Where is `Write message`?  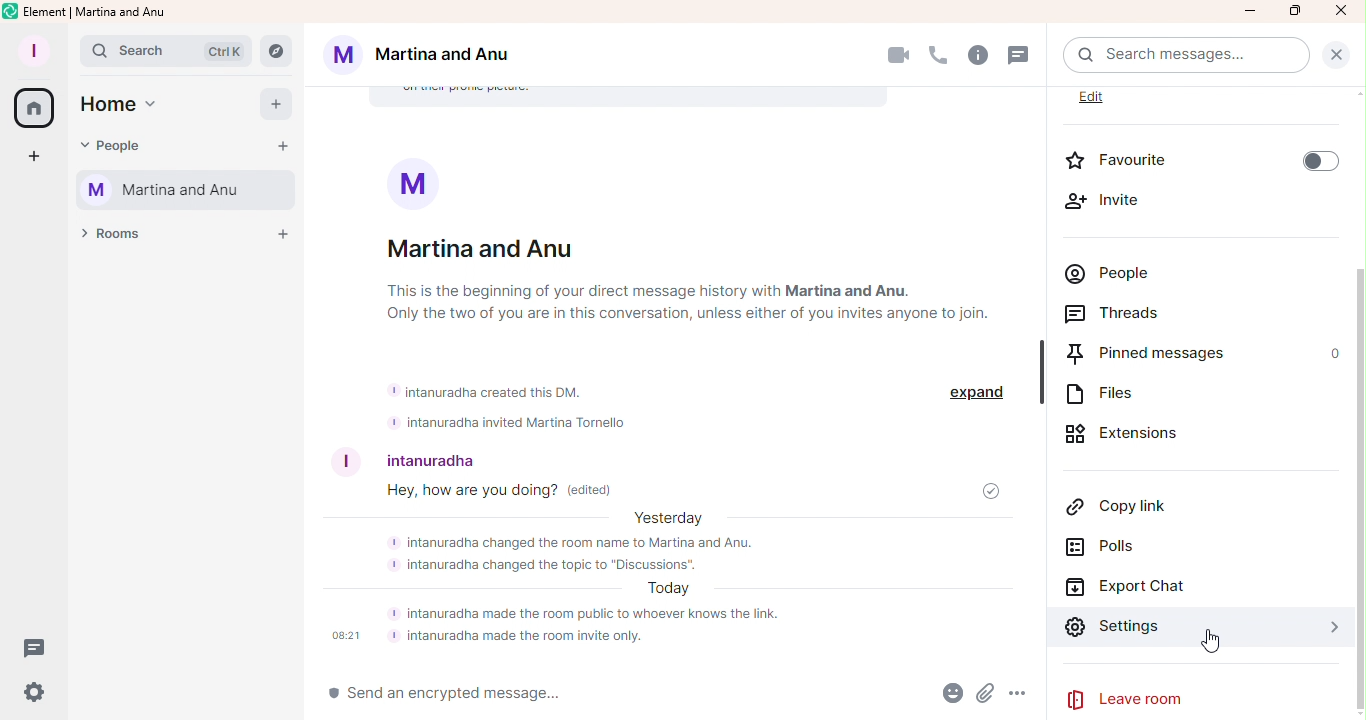 Write message is located at coordinates (597, 694).